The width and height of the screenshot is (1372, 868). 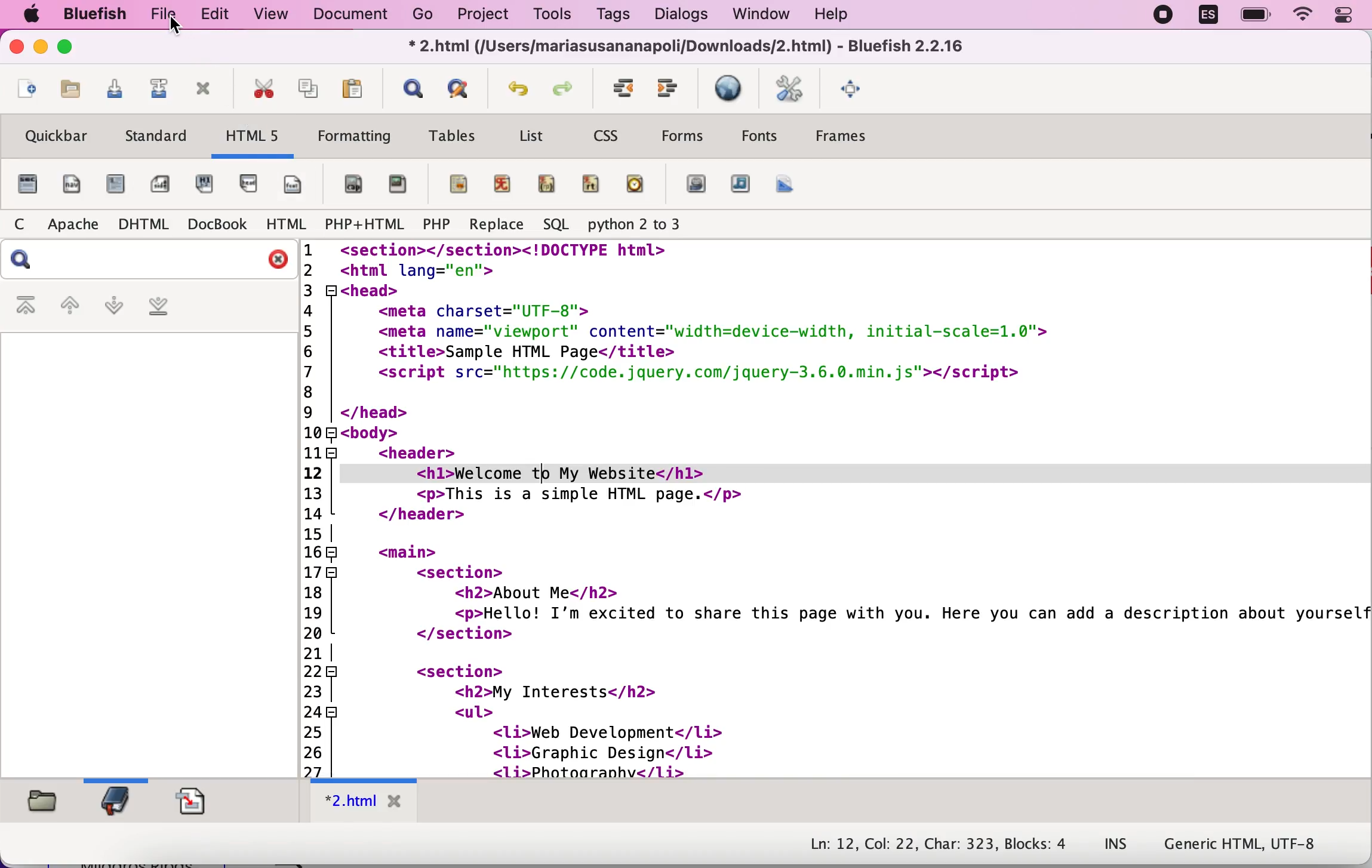 What do you see at coordinates (516, 88) in the screenshot?
I see `undo` at bounding box center [516, 88].